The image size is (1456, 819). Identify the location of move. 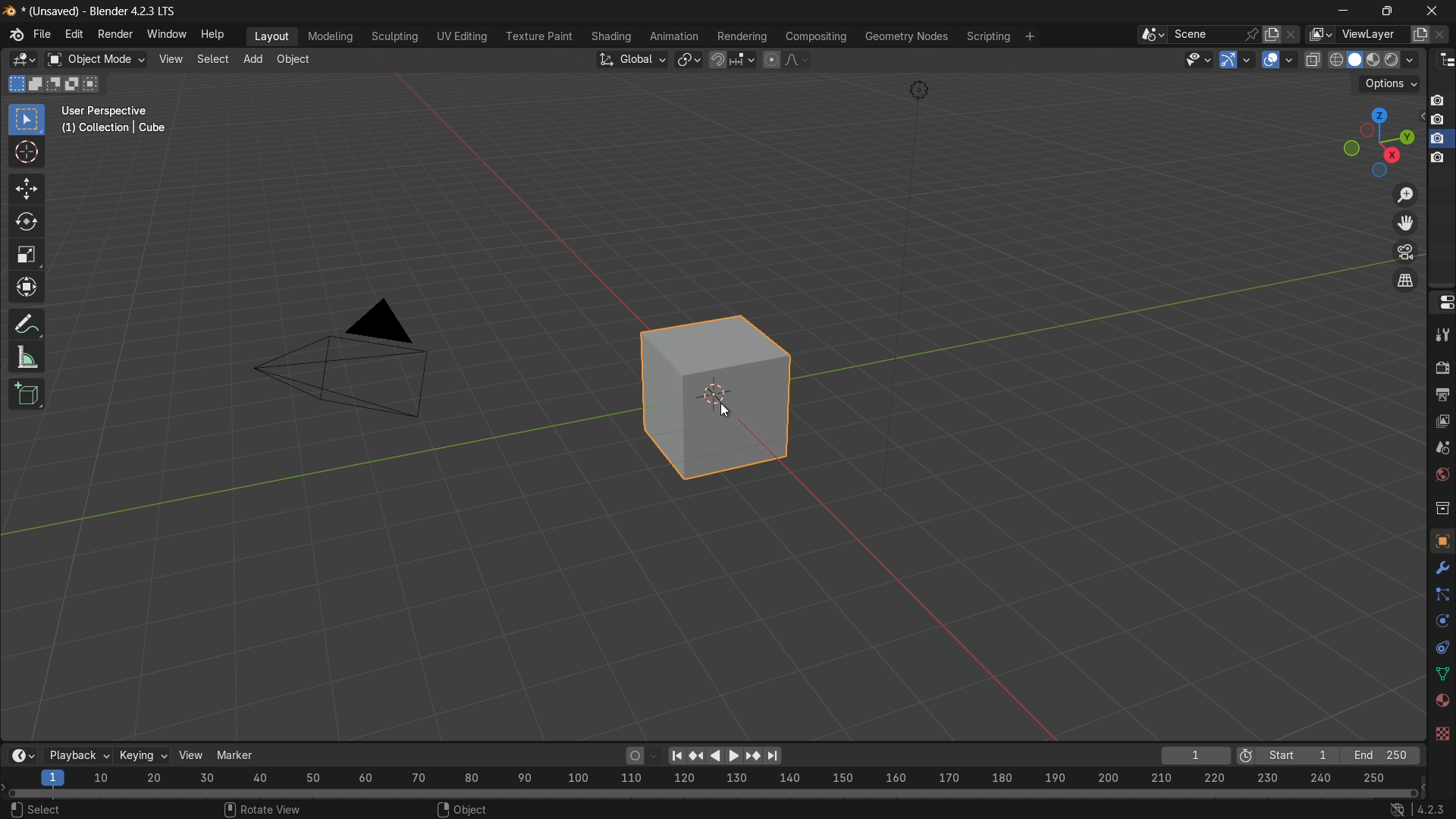
(26, 187).